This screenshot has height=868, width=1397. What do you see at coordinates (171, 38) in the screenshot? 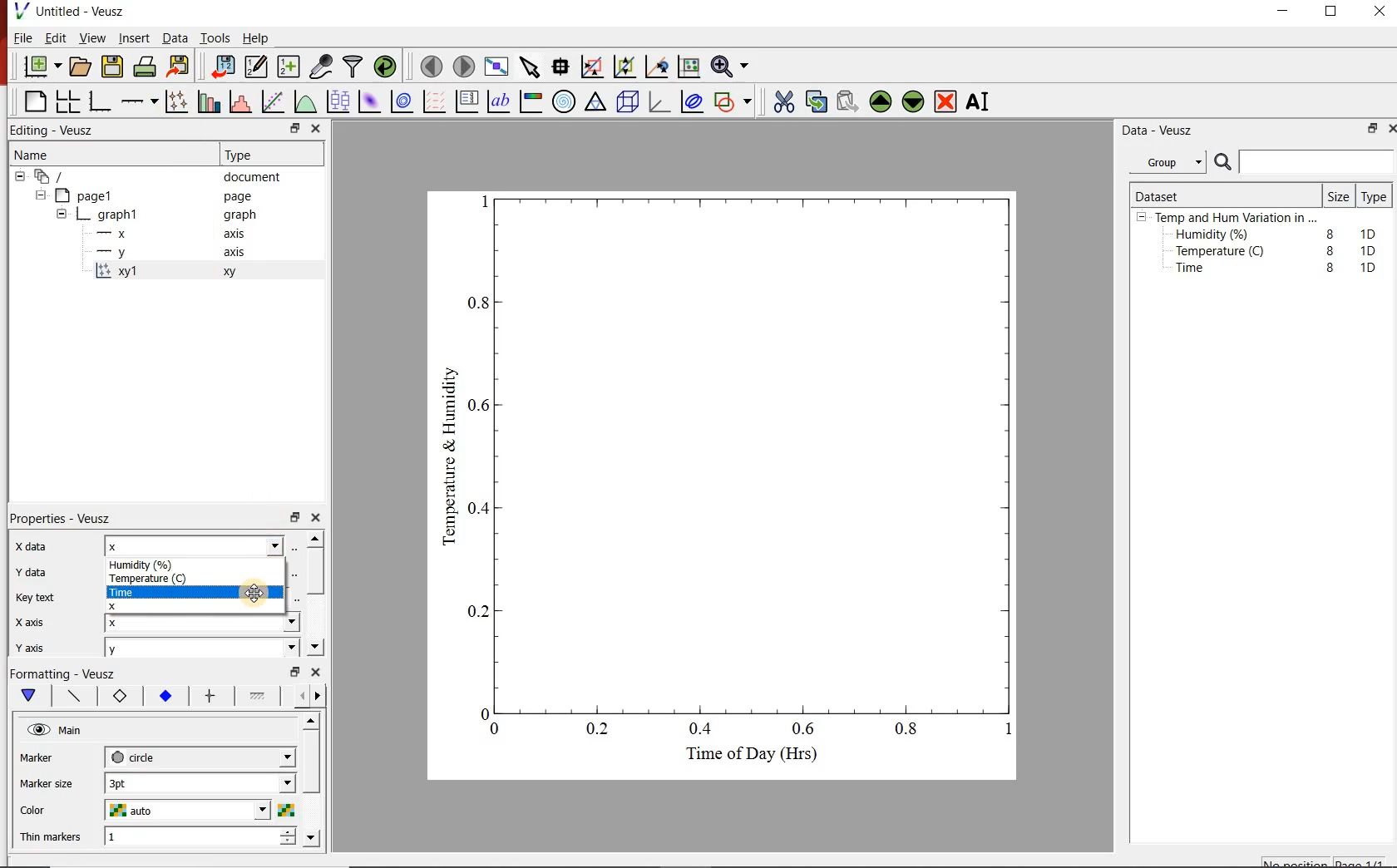
I see `Data` at bounding box center [171, 38].